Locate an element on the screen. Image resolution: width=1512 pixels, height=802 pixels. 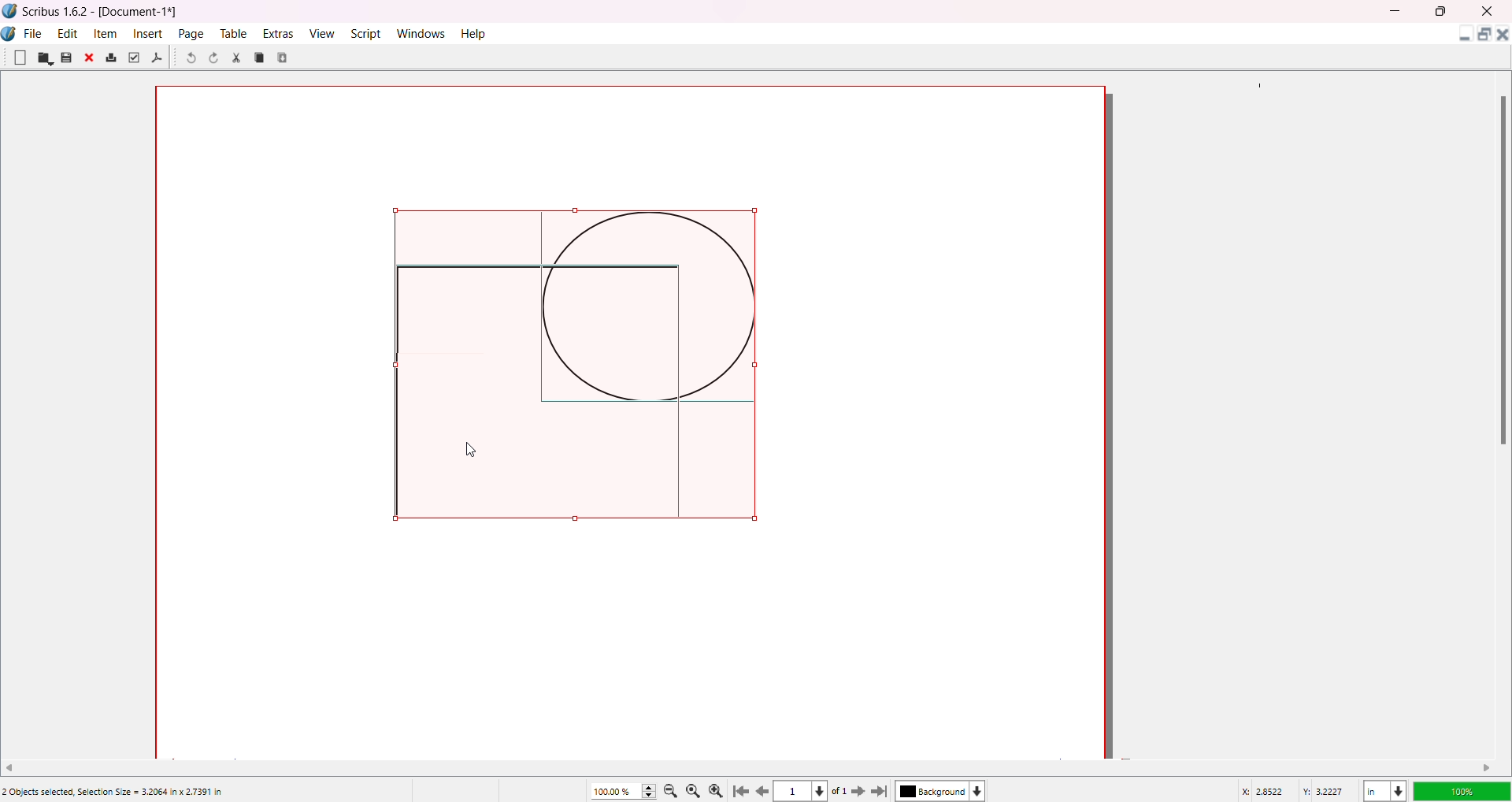
Cut is located at coordinates (236, 58).